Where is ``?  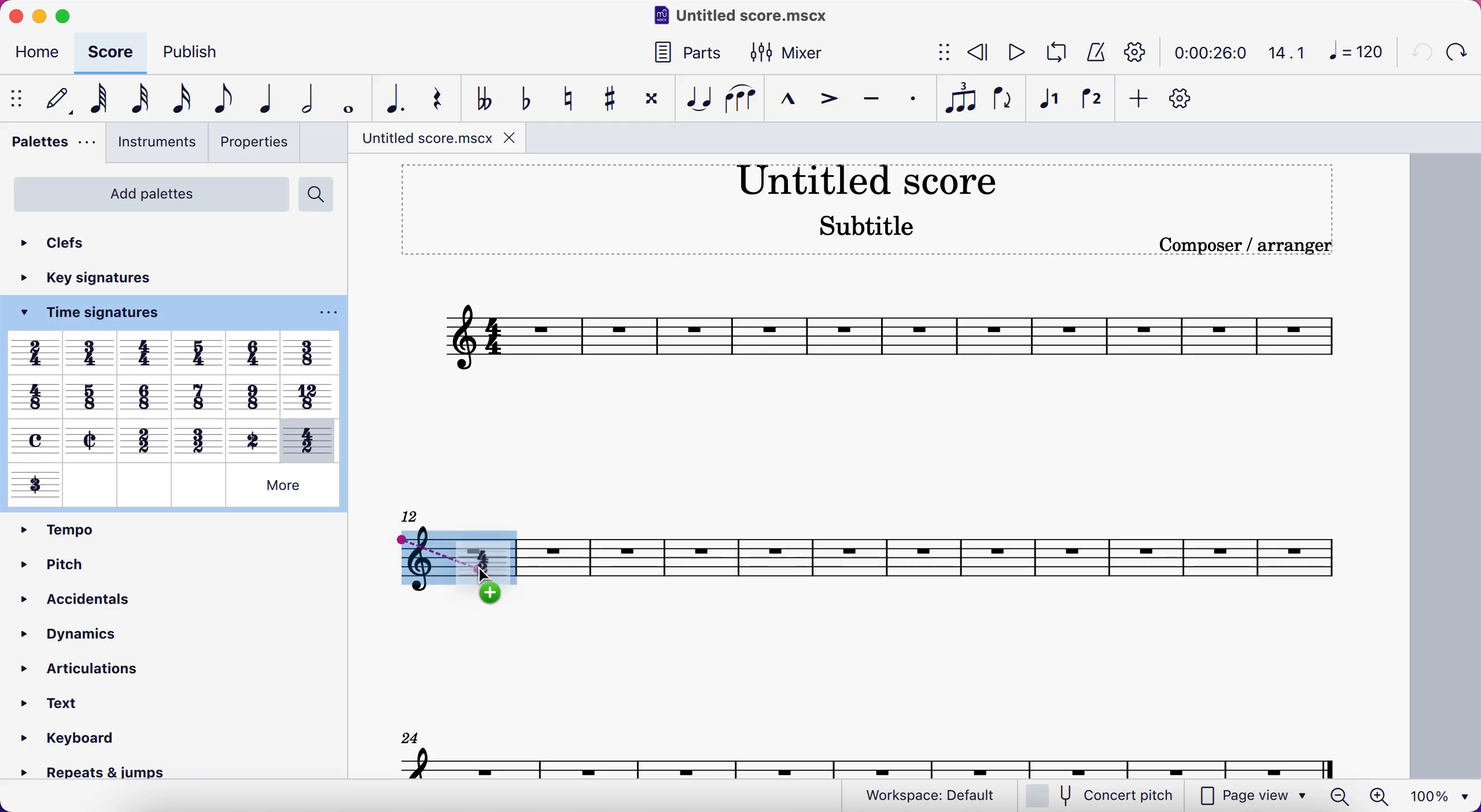
 is located at coordinates (311, 352).